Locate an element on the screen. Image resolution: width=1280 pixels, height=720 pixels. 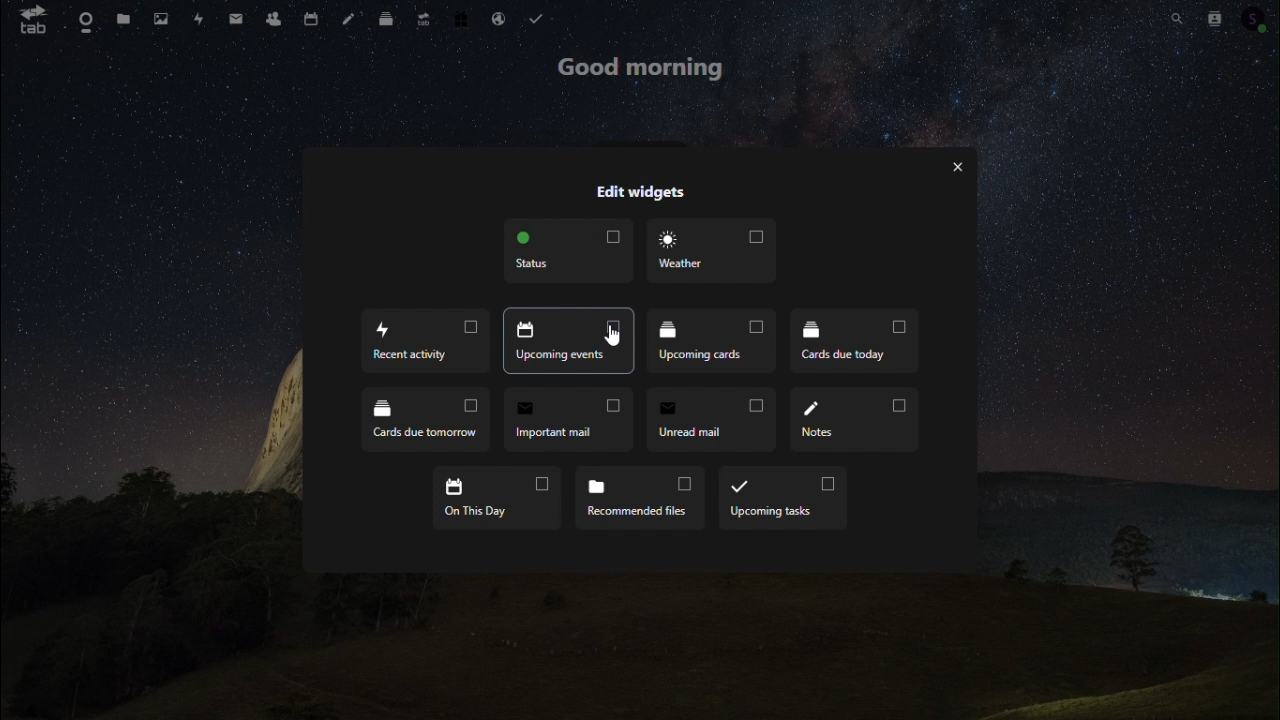
Dashboard is located at coordinates (82, 20).